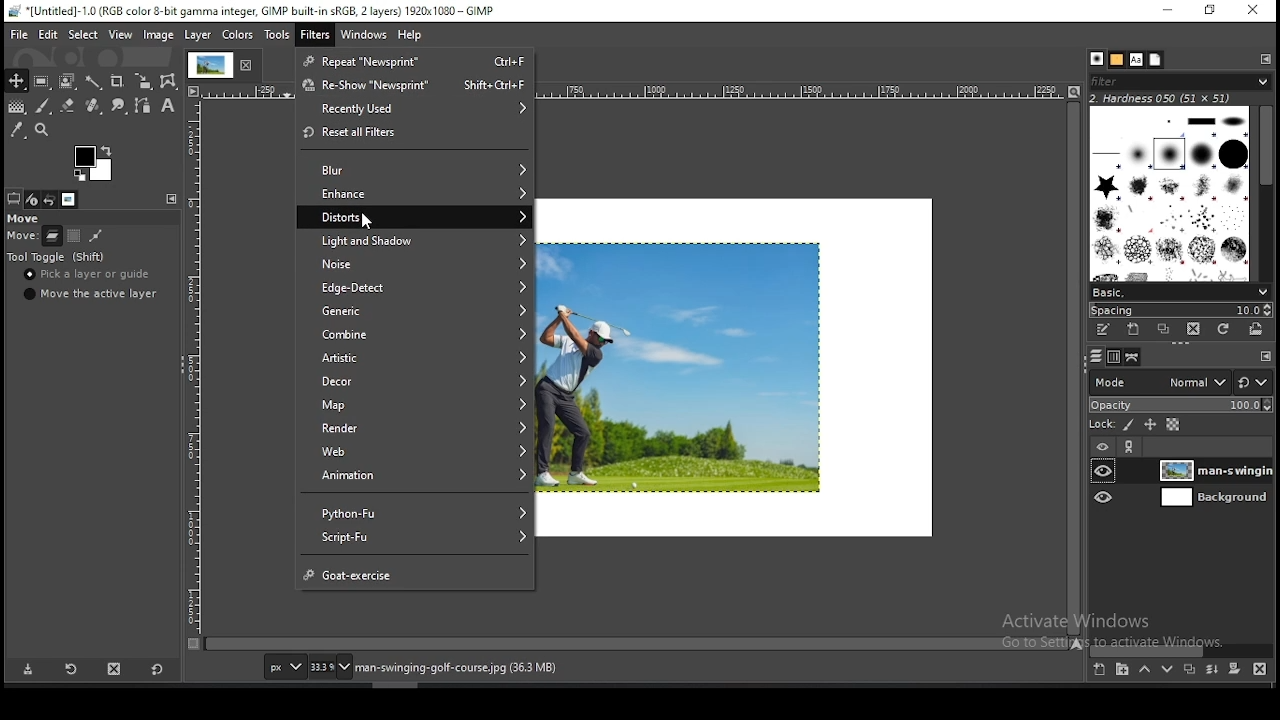 This screenshot has width=1280, height=720. I want to click on paintbrush tool, so click(43, 106).